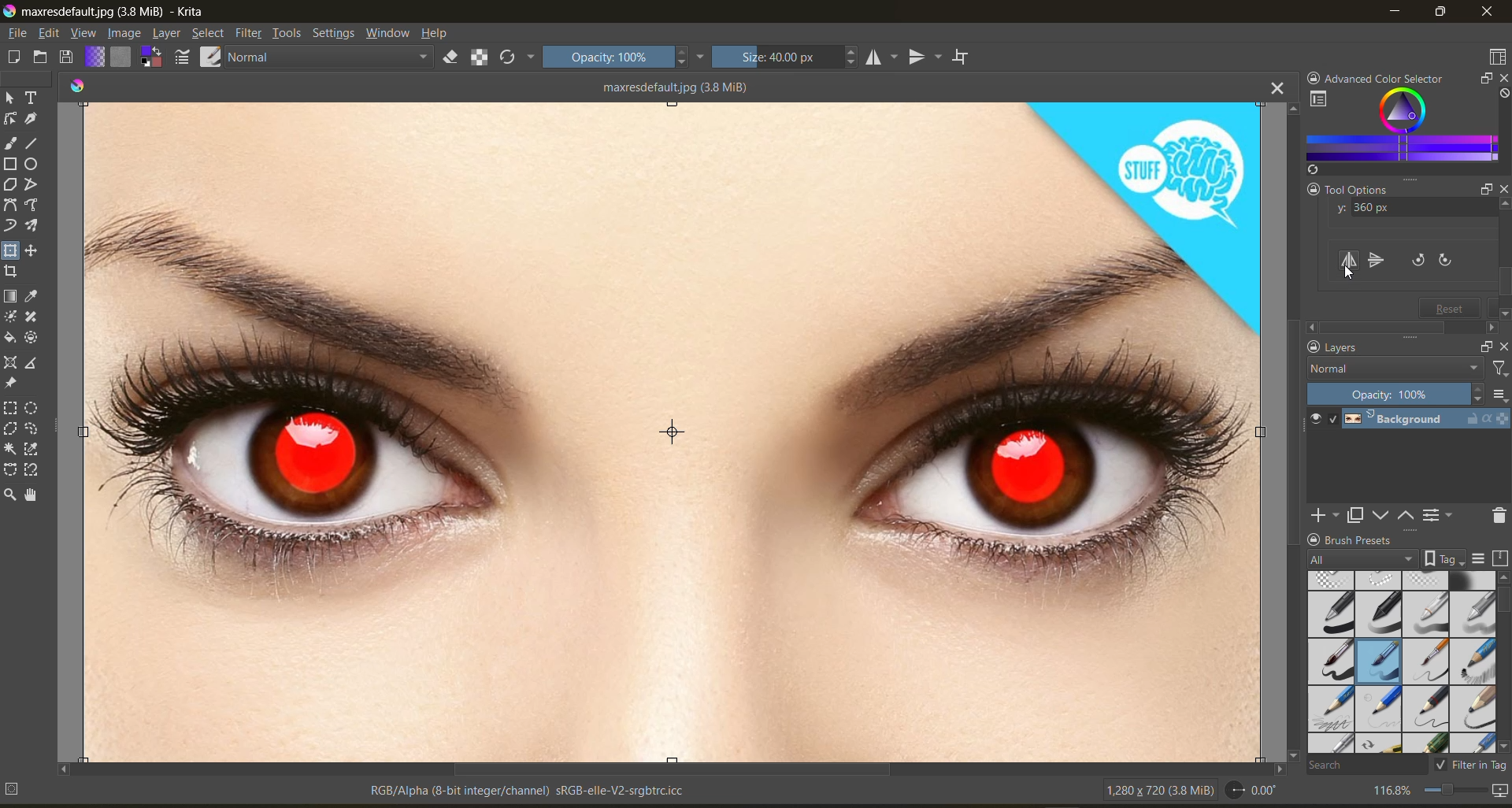  I want to click on tool, so click(9, 362).